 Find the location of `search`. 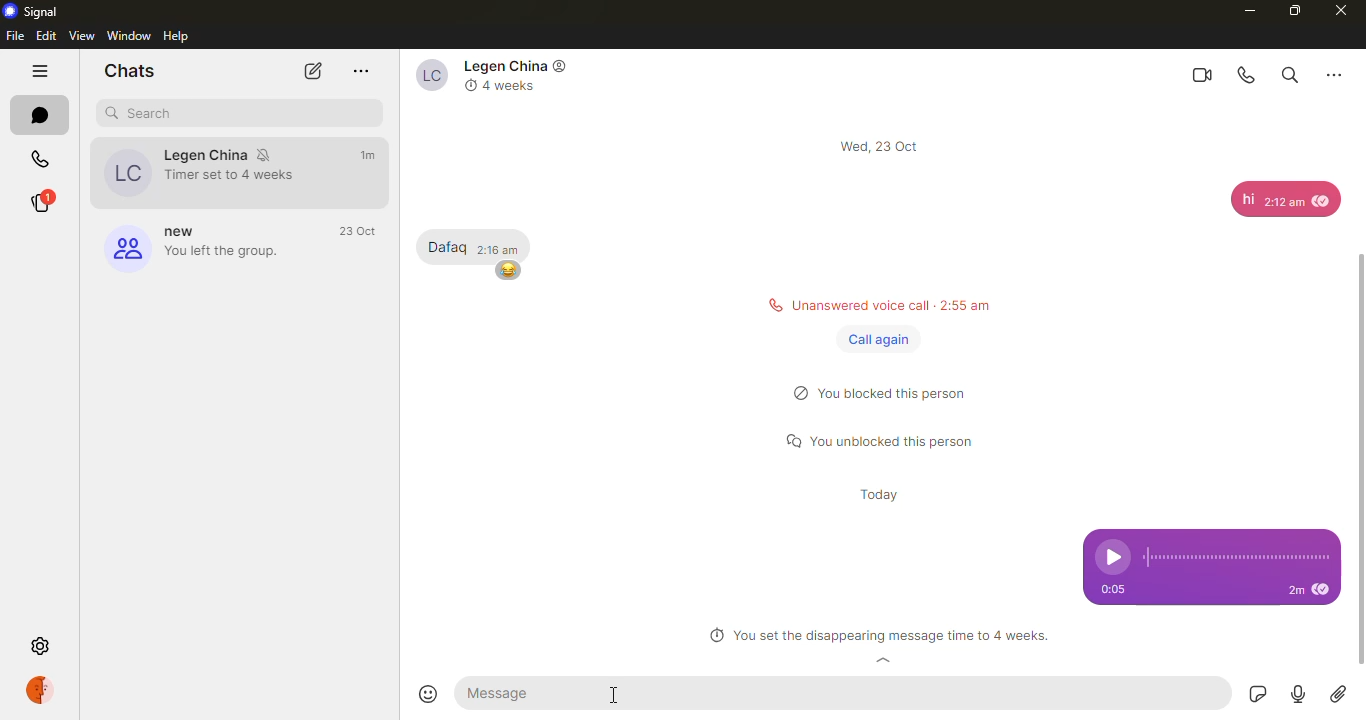

search is located at coordinates (145, 113).